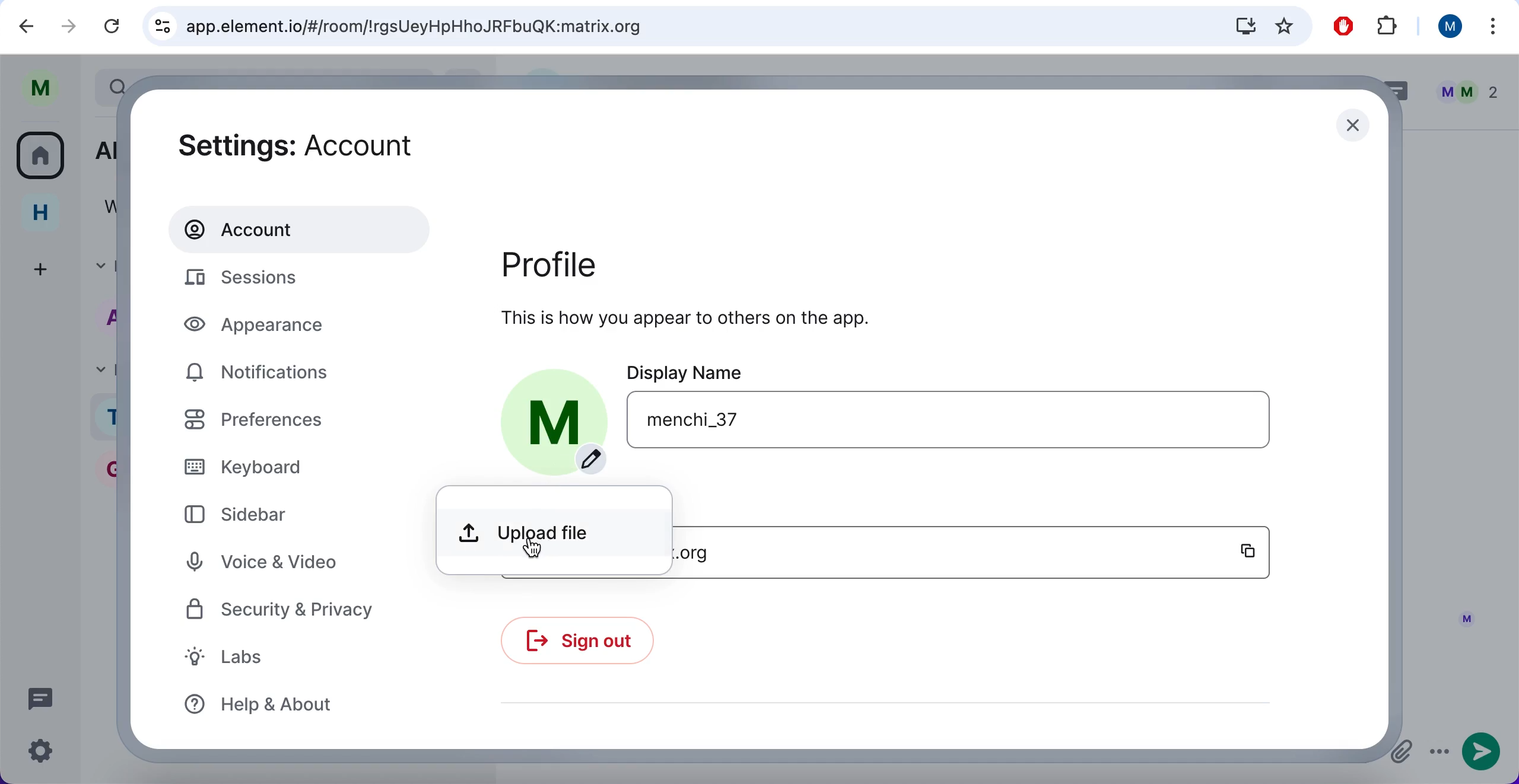 The width and height of the screenshot is (1519, 784). Describe the element at coordinates (1492, 26) in the screenshot. I see `more options` at that location.